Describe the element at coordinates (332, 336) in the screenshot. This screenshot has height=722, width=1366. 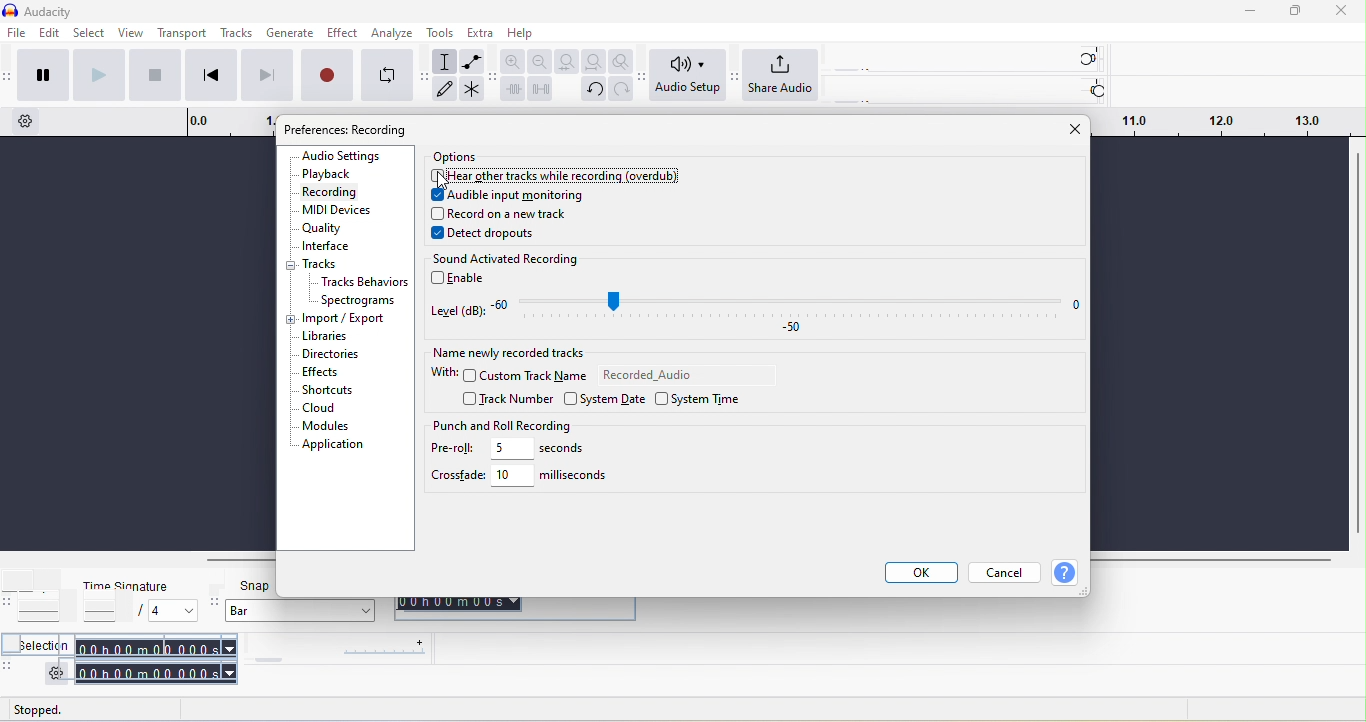
I see `libraries` at that location.